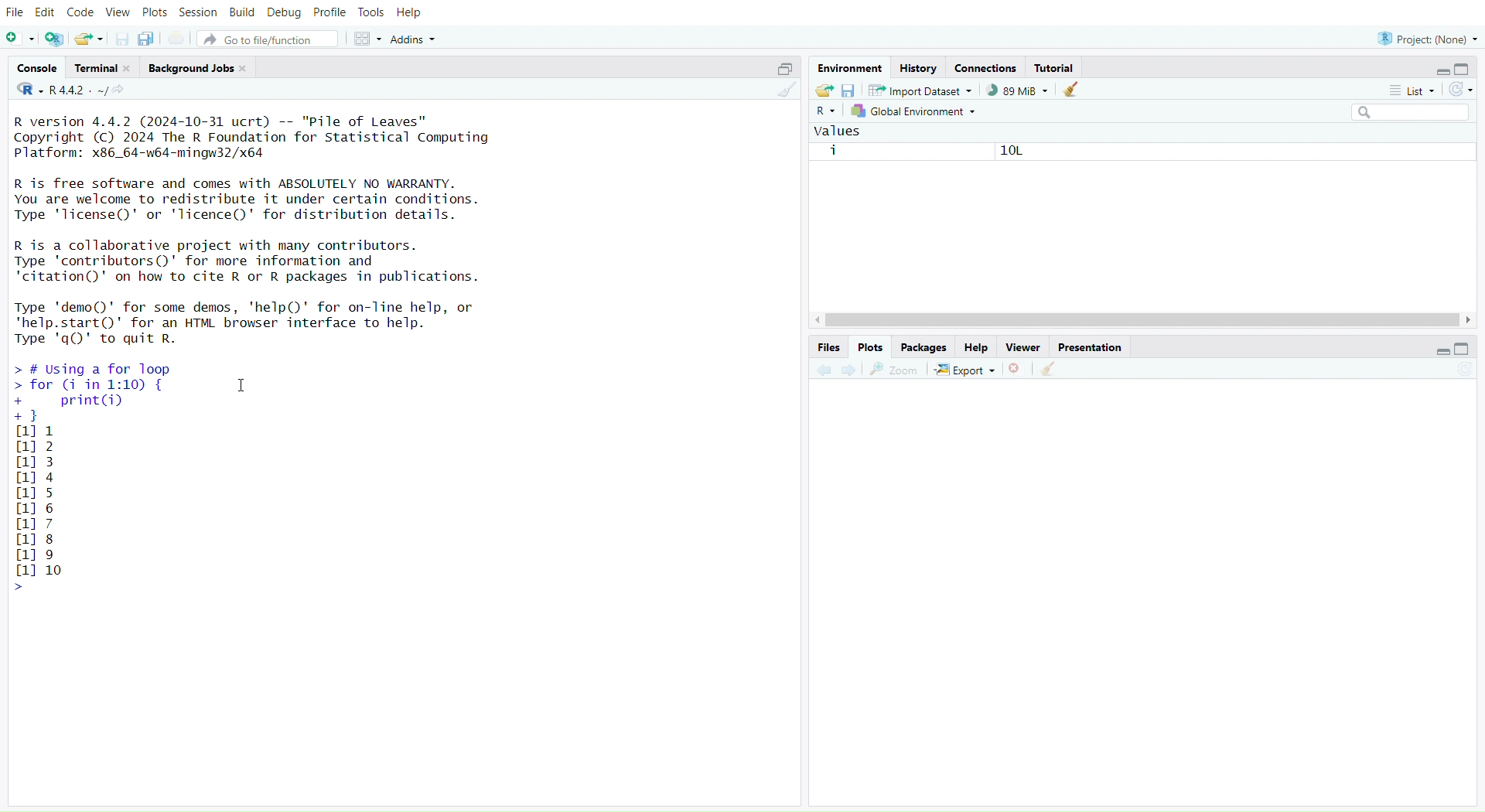 Image resolution: width=1485 pixels, height=812 pixels. Describe the element at coordinates (783, 69) in the screenshot. I see `collapse` at that location.